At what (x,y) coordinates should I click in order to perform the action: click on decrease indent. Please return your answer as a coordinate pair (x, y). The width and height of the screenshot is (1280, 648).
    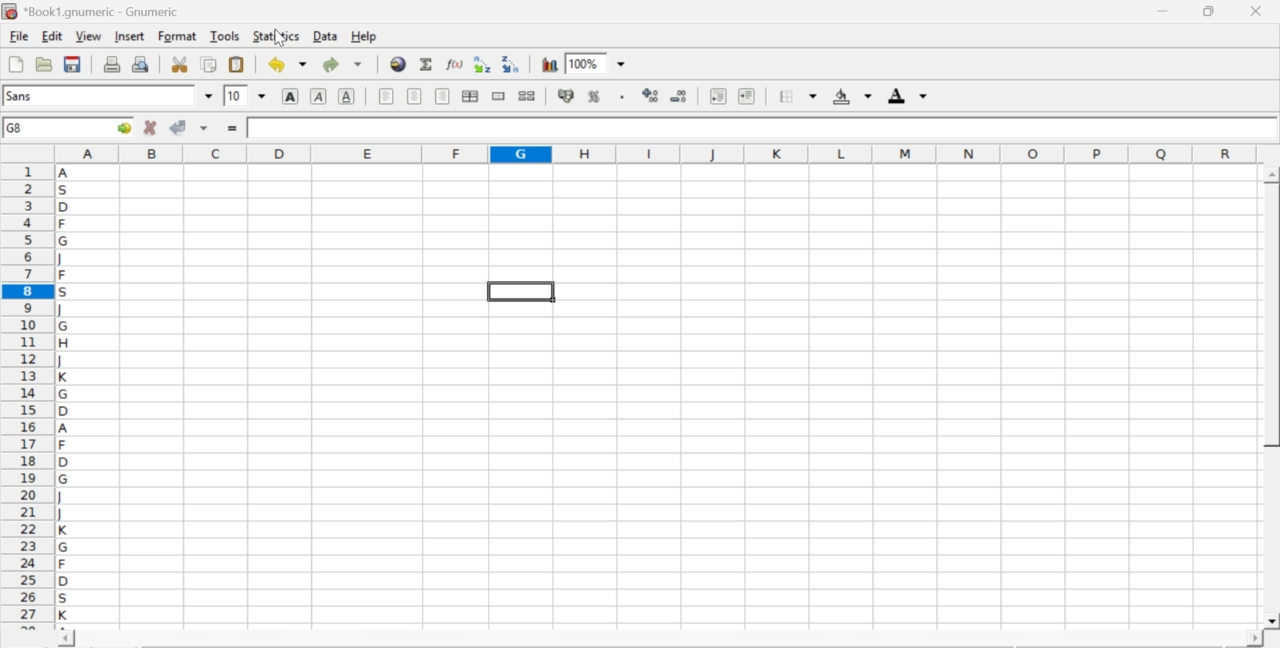
    Looking at the image, I should click on (718, 95).